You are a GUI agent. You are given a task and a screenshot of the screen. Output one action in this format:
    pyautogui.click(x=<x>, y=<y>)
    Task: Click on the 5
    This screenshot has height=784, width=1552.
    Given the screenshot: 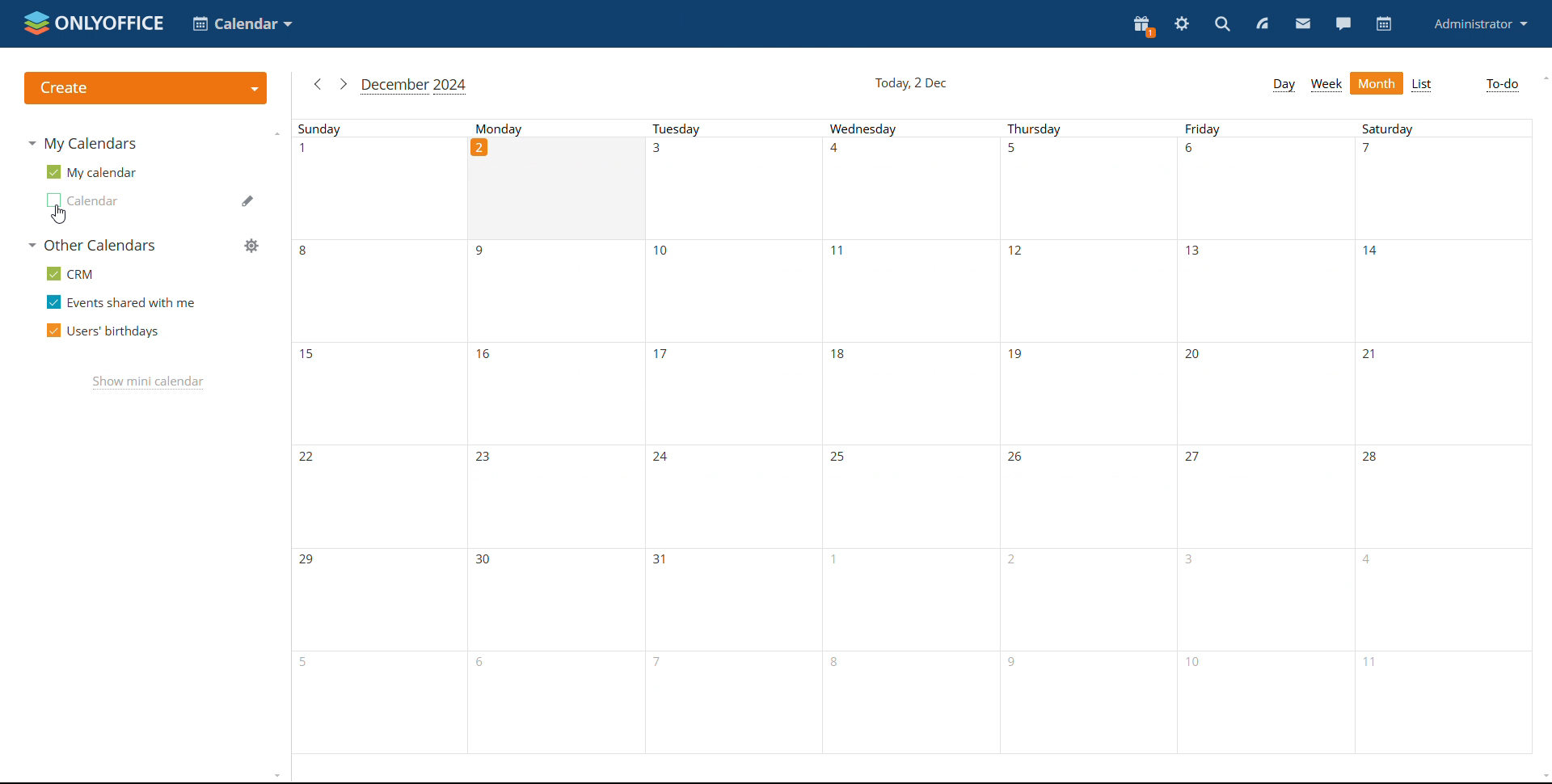 What is the action you would take?
    pyautogui.click(x=1090, y=190)
    